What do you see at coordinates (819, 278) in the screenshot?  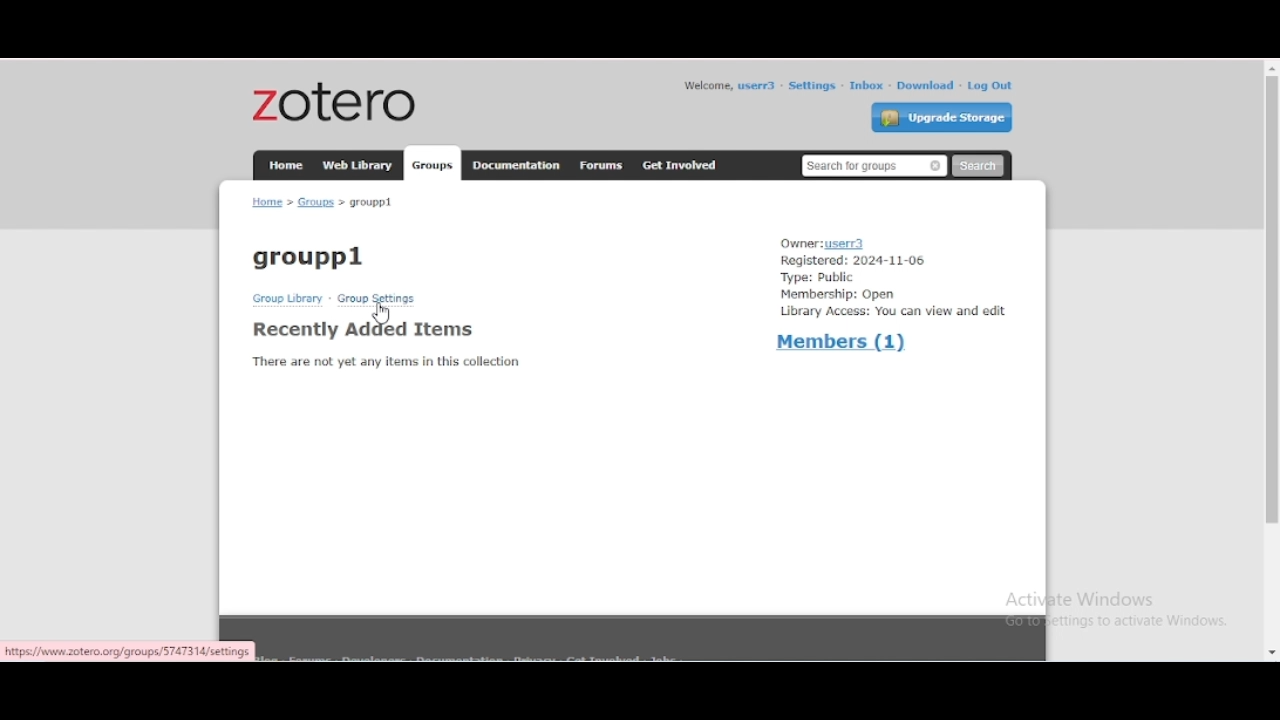 I see `type` at bounding box center [819, 278].